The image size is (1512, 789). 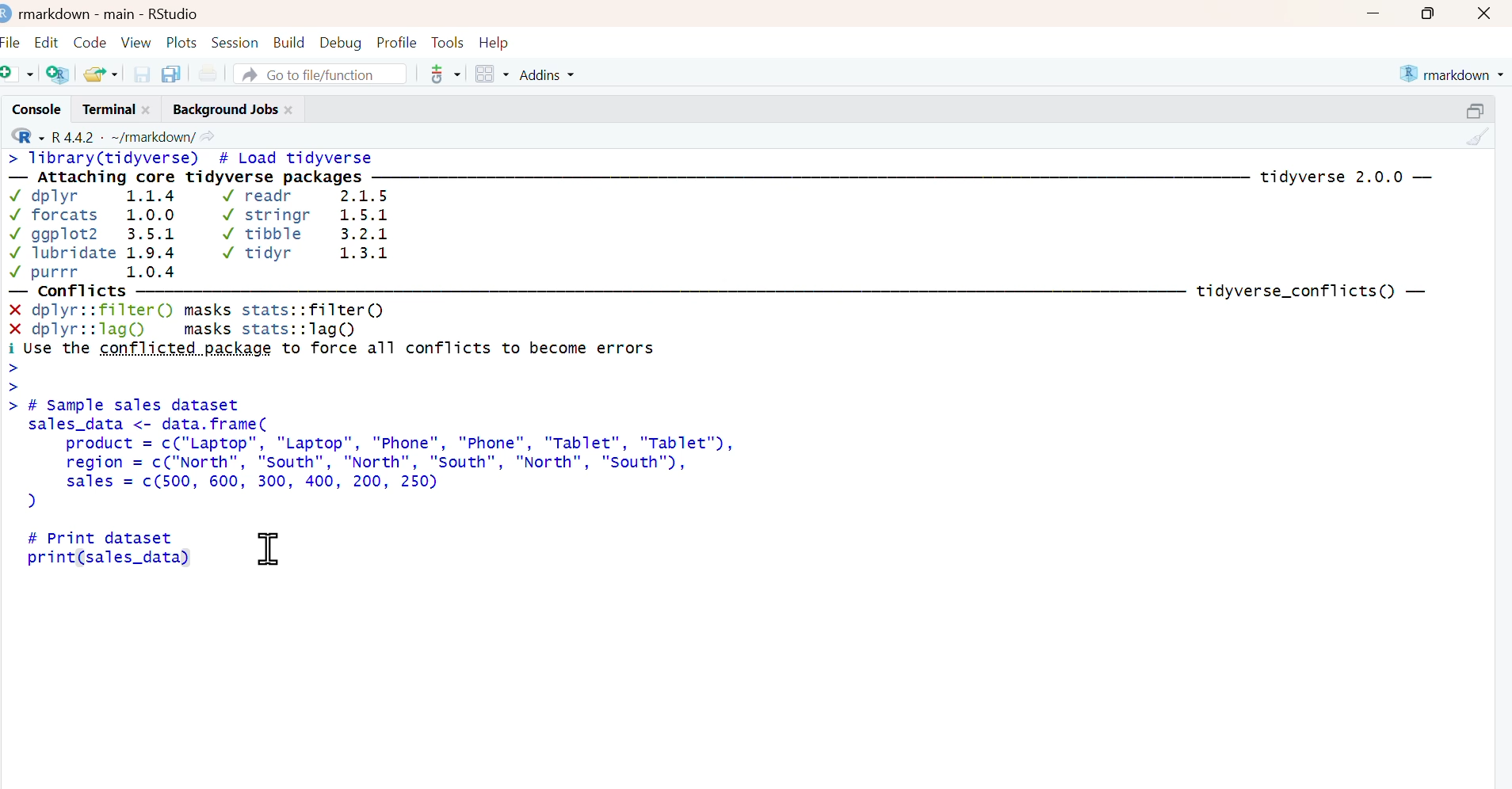 What do you see at coordinates (341, 40) in the screenshot?
I see `Debug` at bounding box center [341, 40].